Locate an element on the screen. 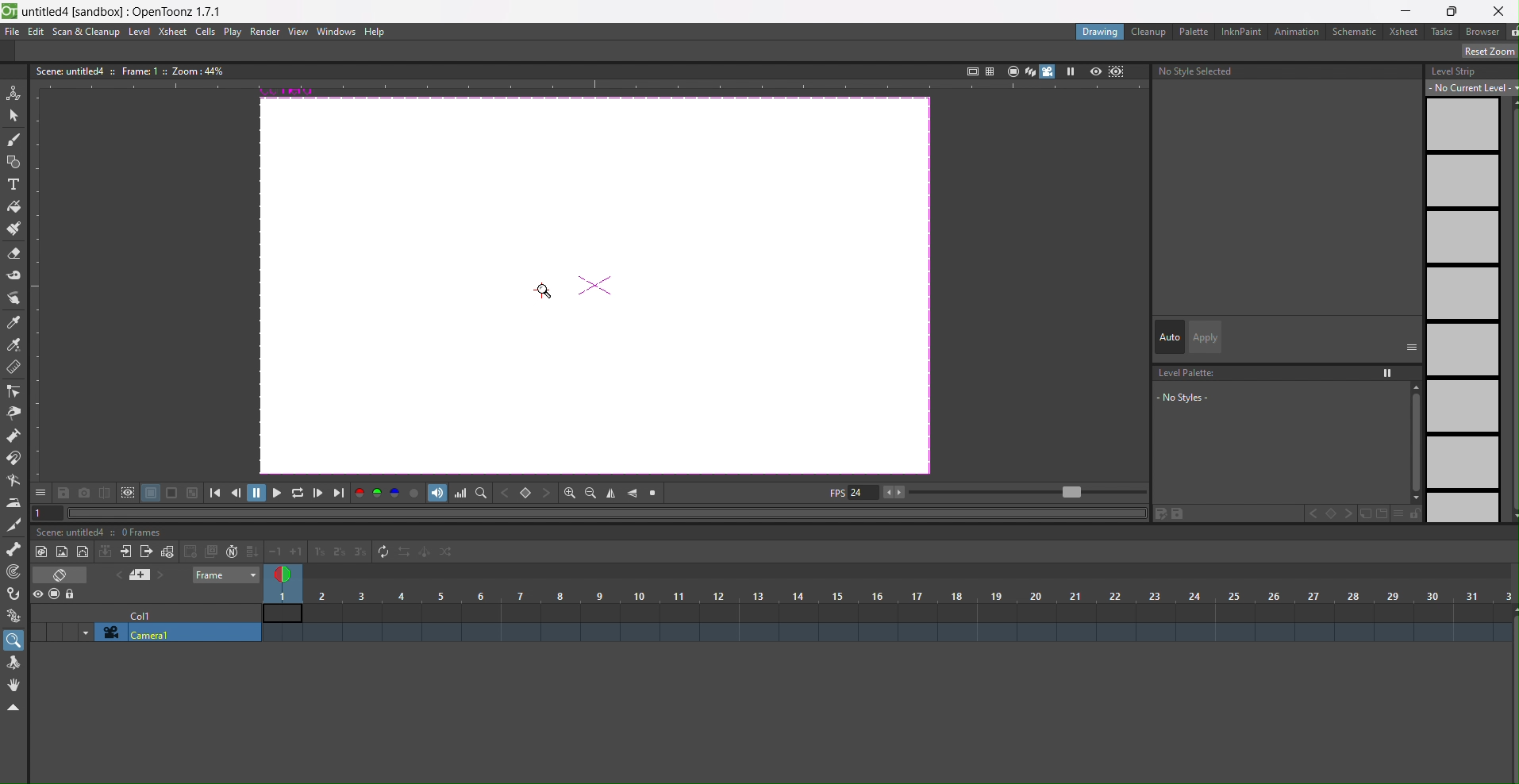  flip vertical is located at coordinates (613, 492).